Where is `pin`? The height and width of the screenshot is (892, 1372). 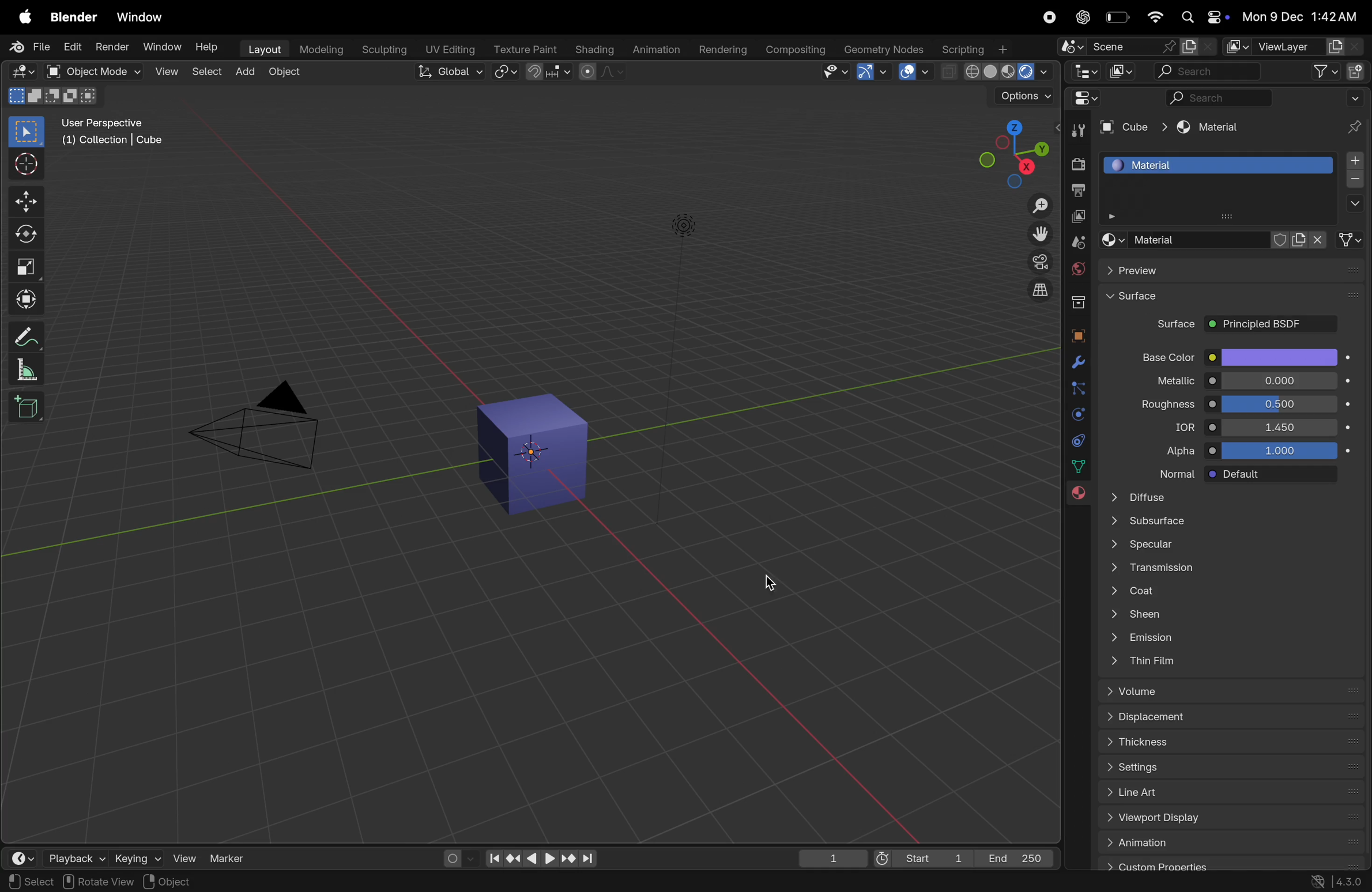 pin is located at coordinates (1356, 126).